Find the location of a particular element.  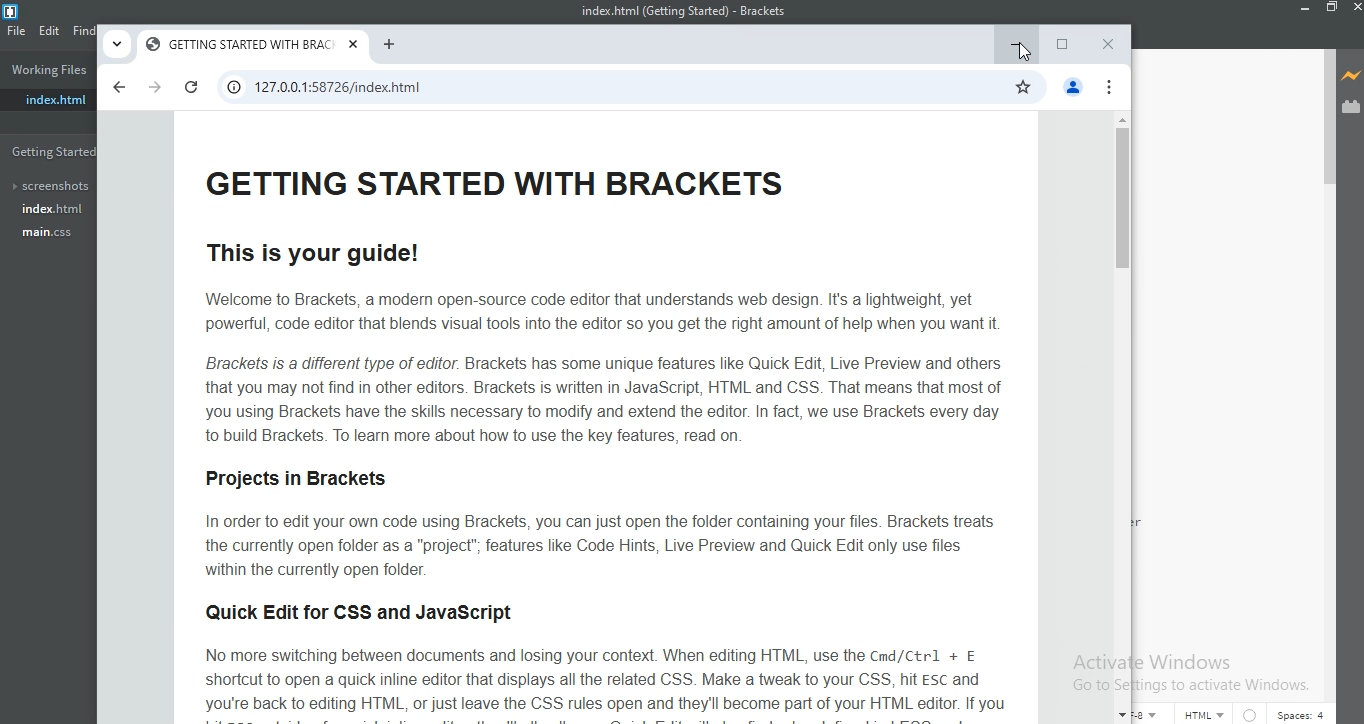

Working files is located at coordinates (47, 72).